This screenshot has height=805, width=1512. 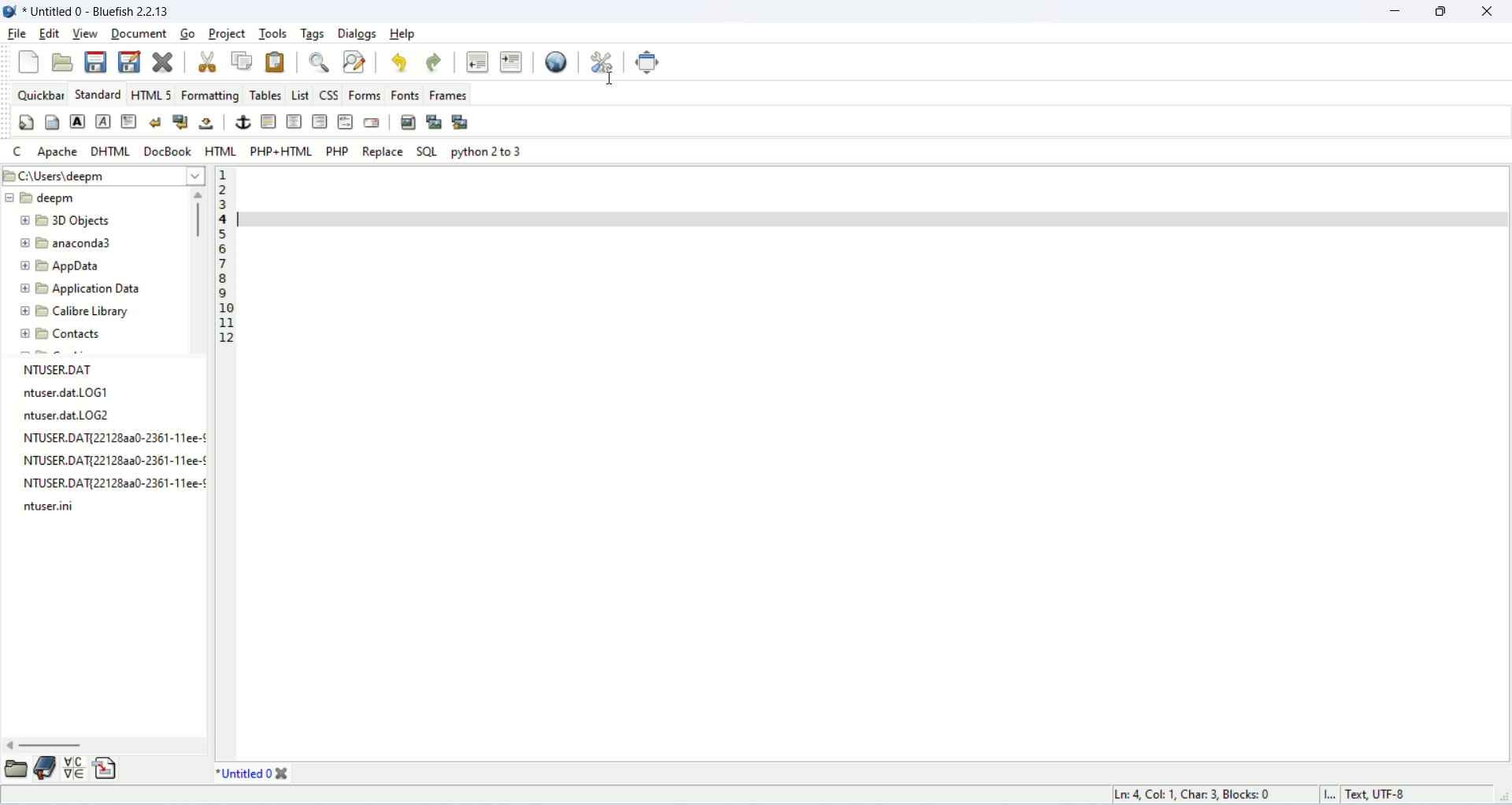 What do you see at coordinates (358, 35) in the screenshot?
I see `dialogs` at bounding box center [358, 35].